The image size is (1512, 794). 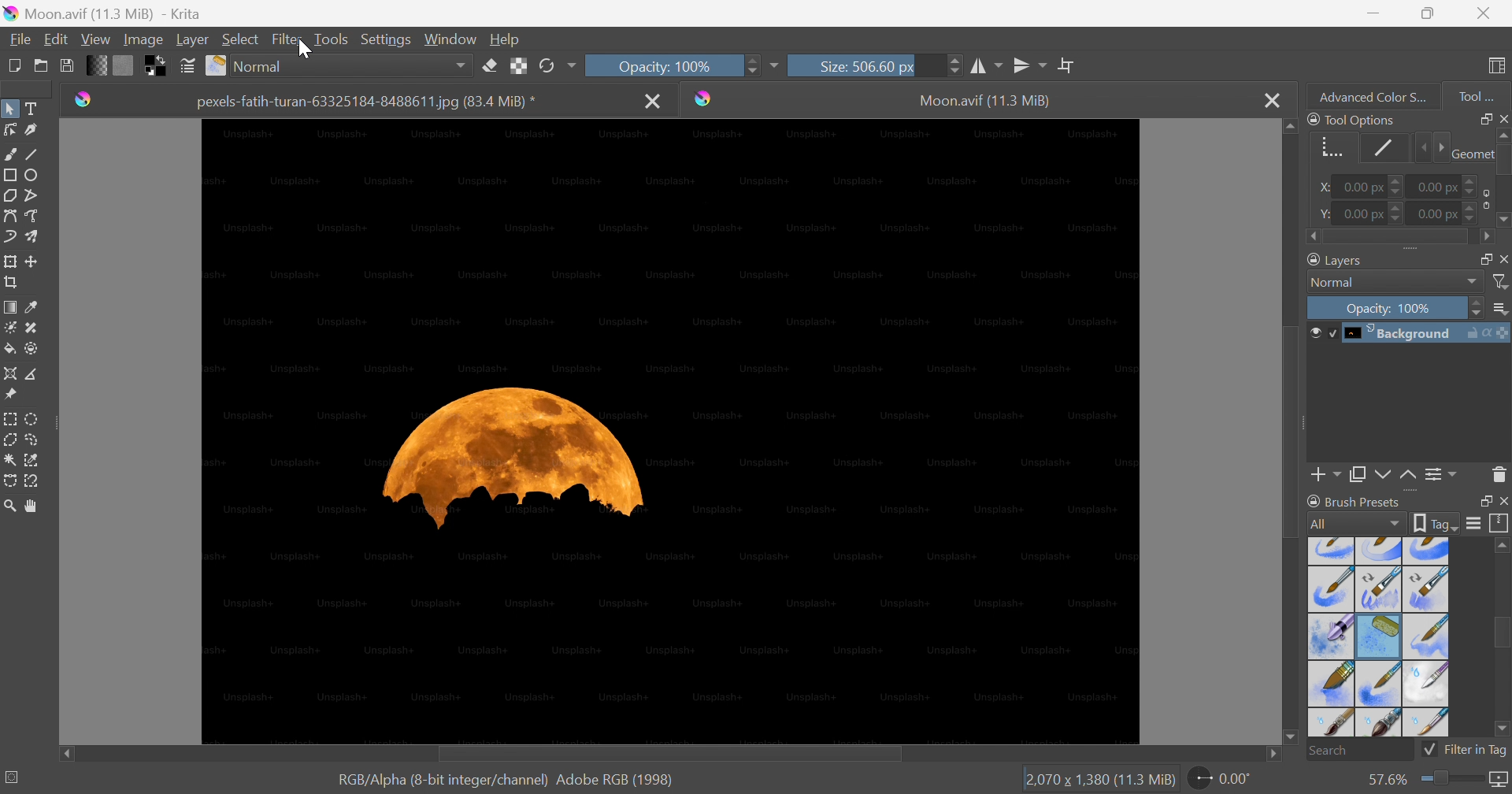 What do you see at coordinates (12, 419) in the screenshot?
I see `Rectangular selection tool` at bounding box center [12, 419].